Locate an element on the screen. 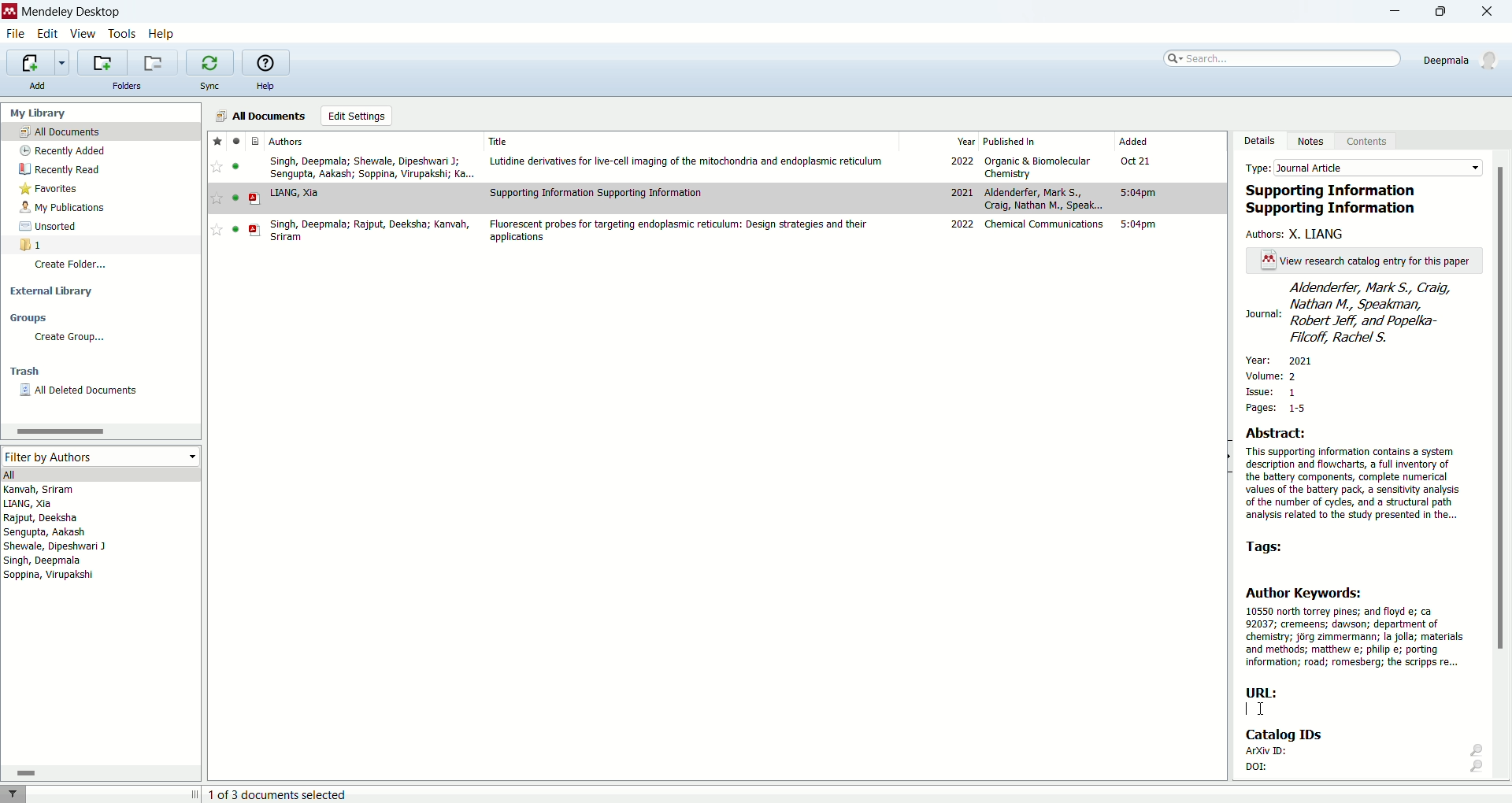  Supporting Information Supporting Information is located at coordinates (597, 192).